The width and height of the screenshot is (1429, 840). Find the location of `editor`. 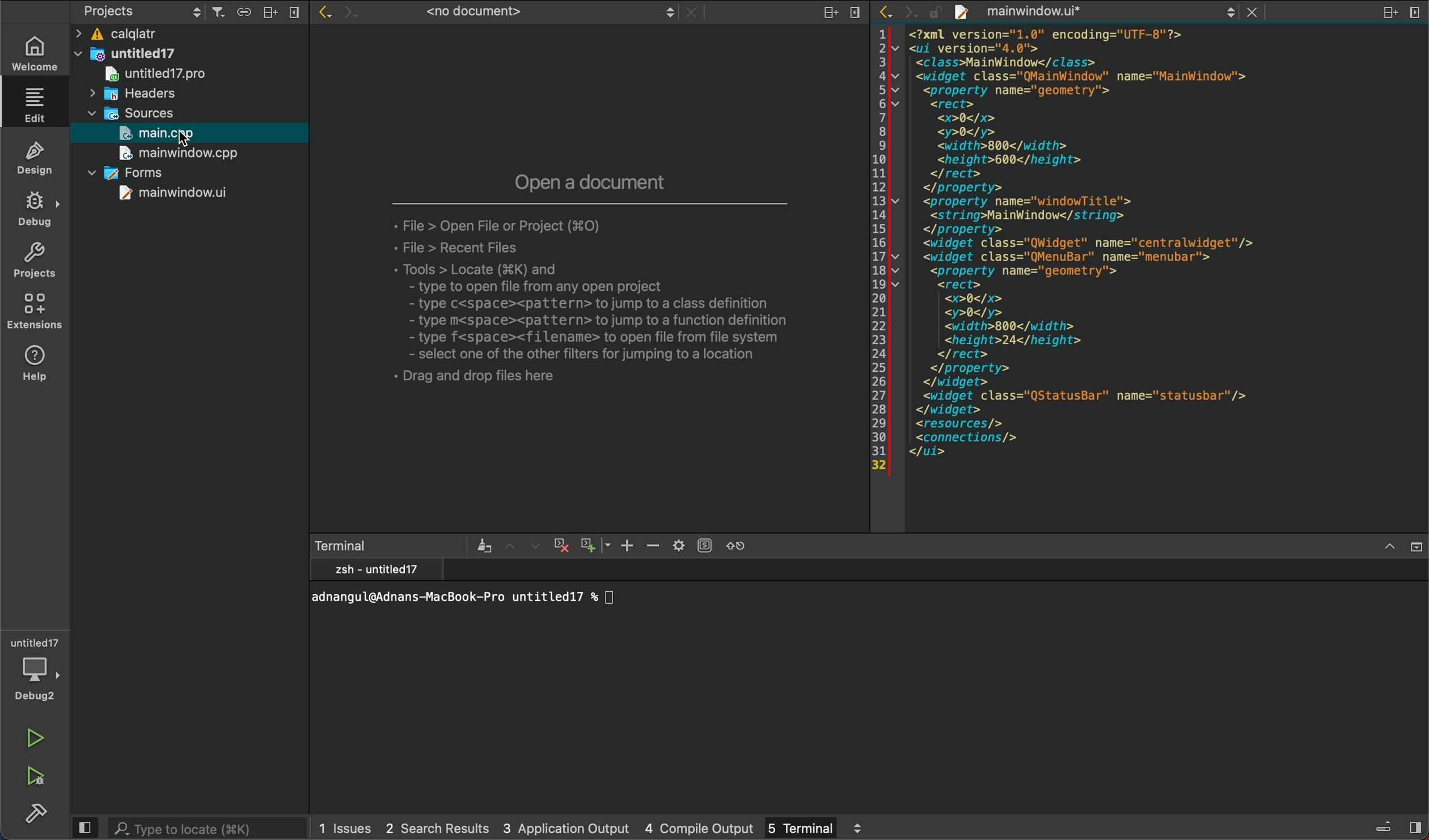

editor is located at coordinates (38, 105).